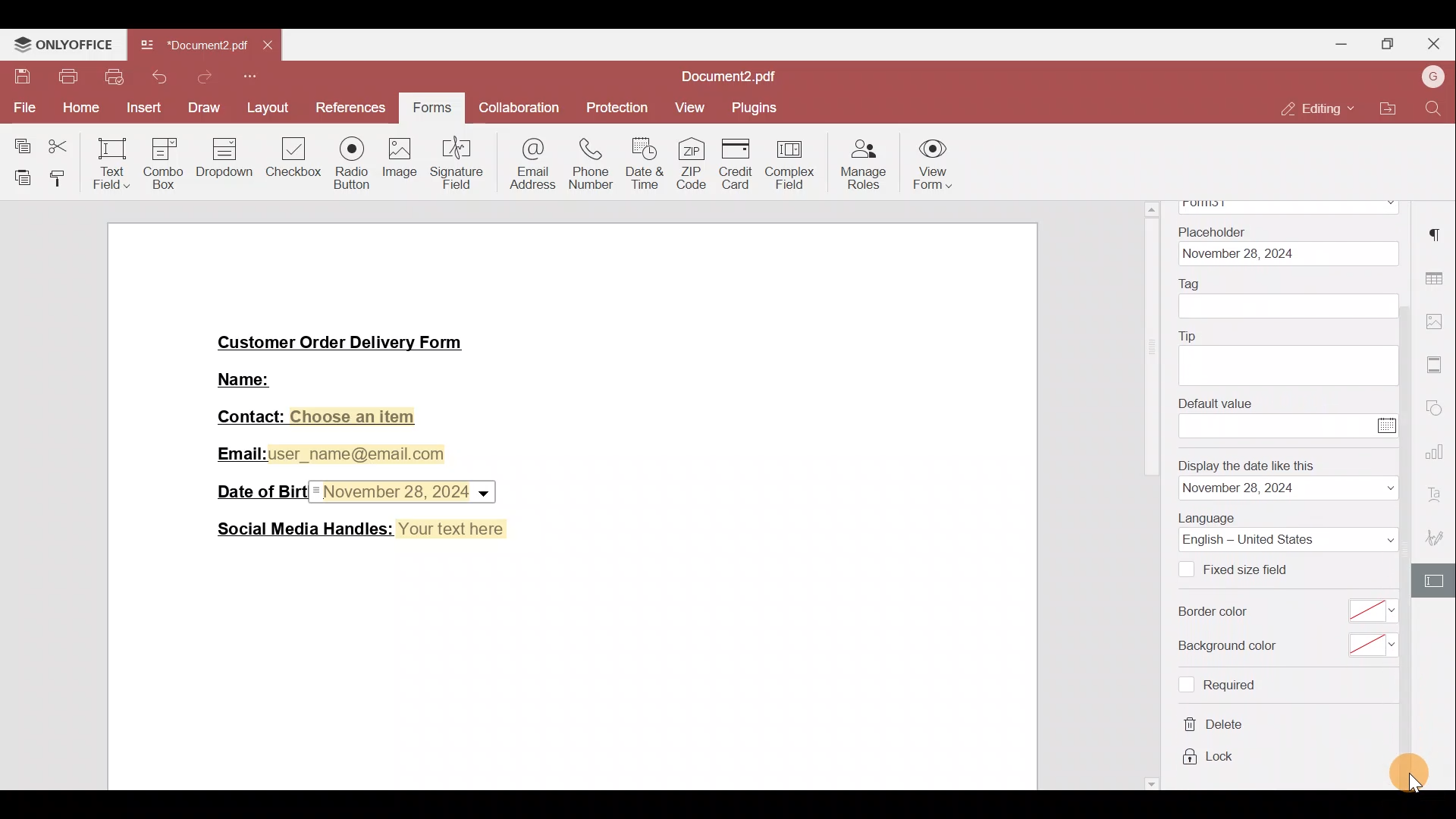 Image resolution: width=1456 pixels, height=819 pixels. What do you see at coordinates (695, 105) in the screenshot?
I see `View` at bounding box center [695, 105].